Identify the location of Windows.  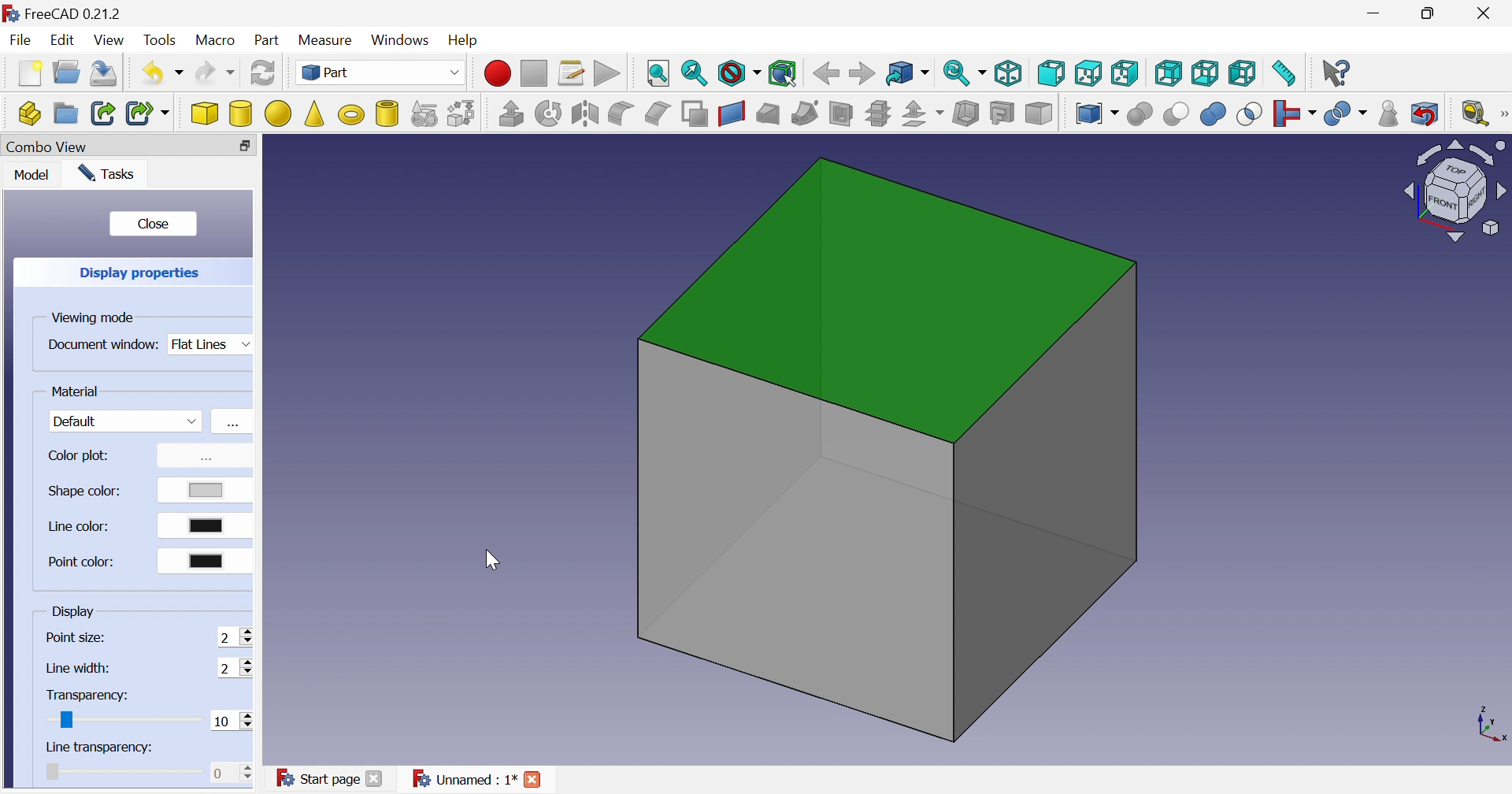
(402, 39).